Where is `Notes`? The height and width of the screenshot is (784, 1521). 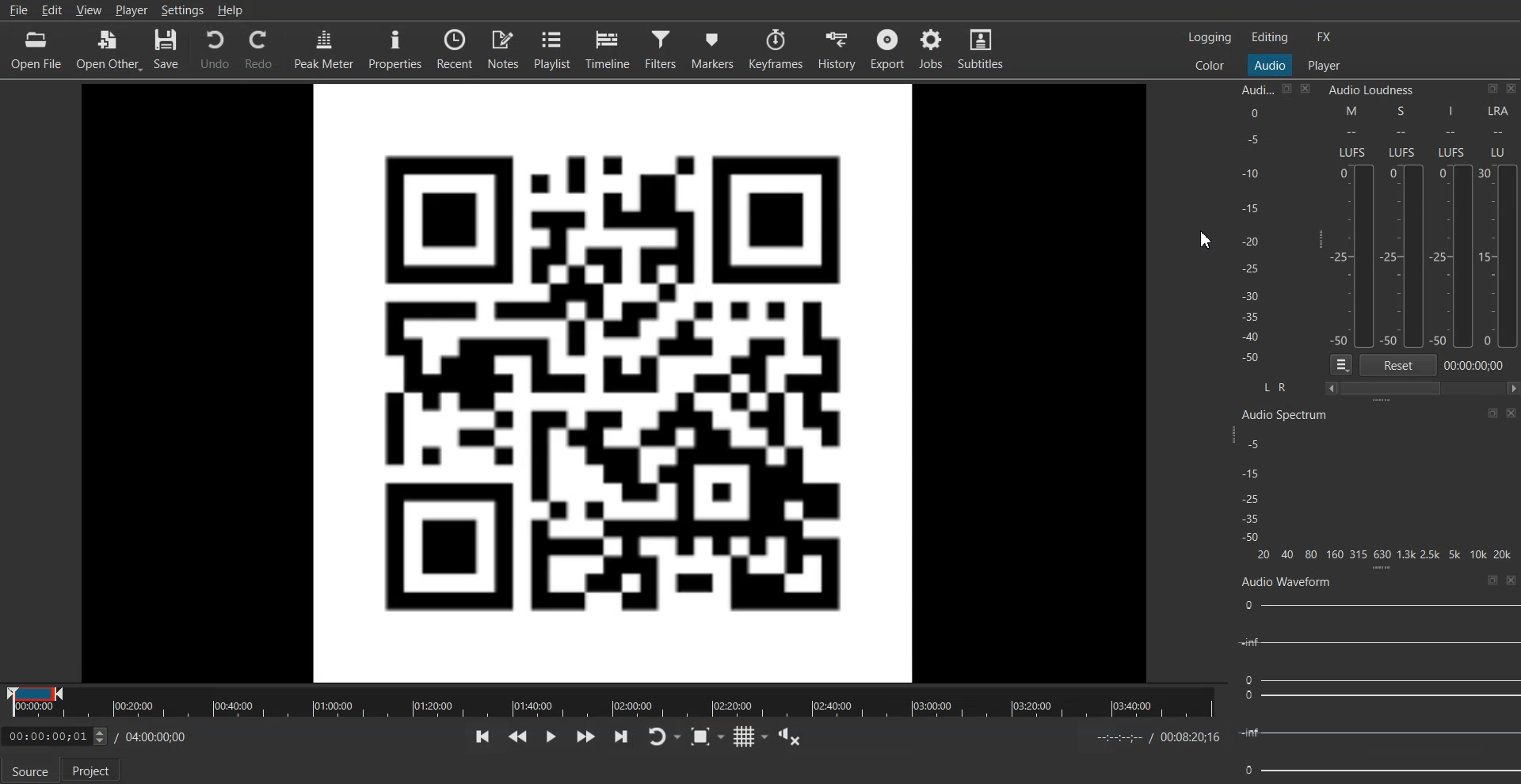 Notes is located at coordinates (504, 50).